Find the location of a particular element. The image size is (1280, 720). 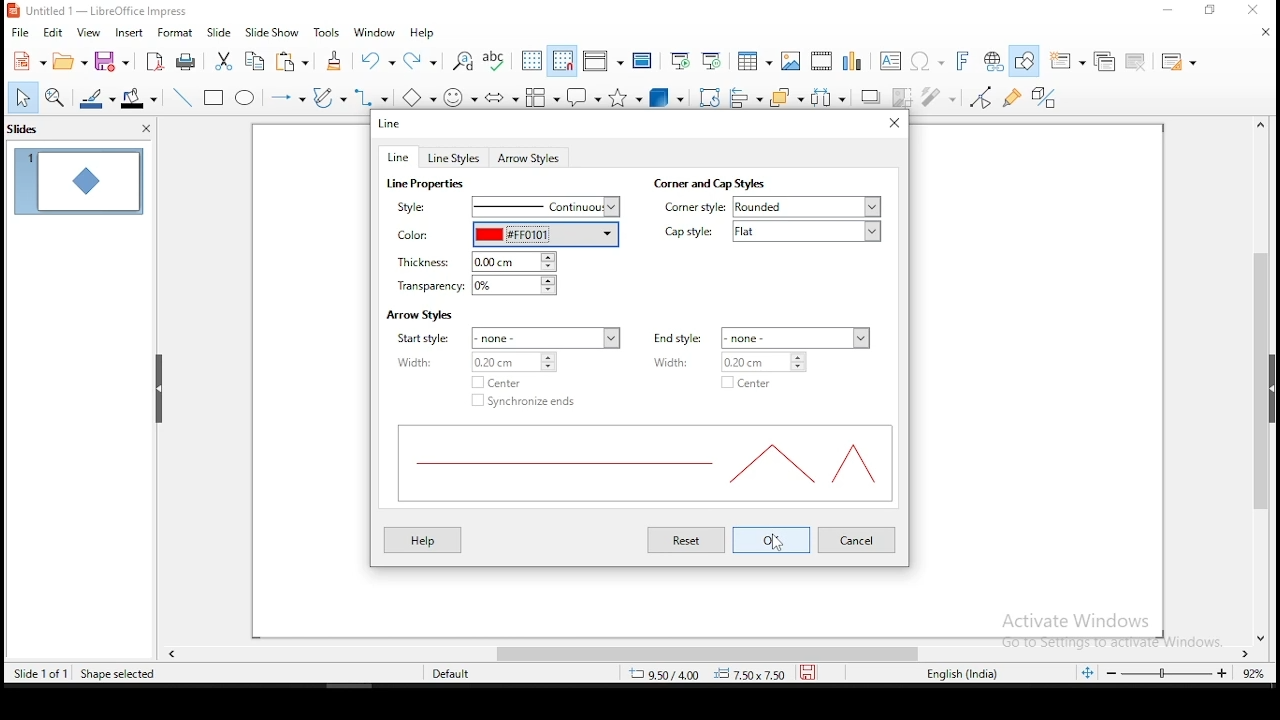

shape selected is located at coordinates (118, 674).